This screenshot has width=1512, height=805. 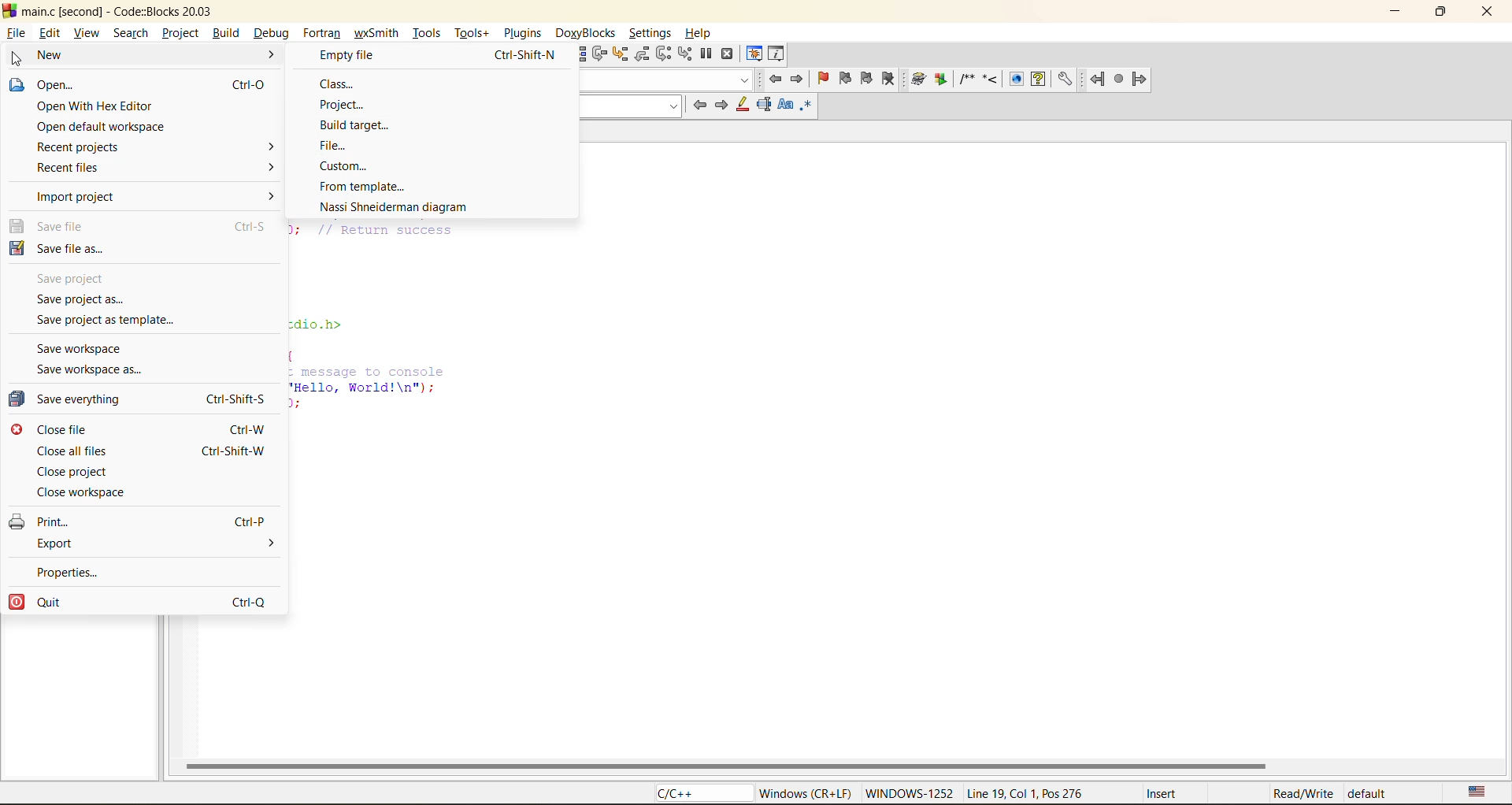 What do you see at coordinates (57, 544) in the screenshot?
I see `export` at bounding box center [57, 544].